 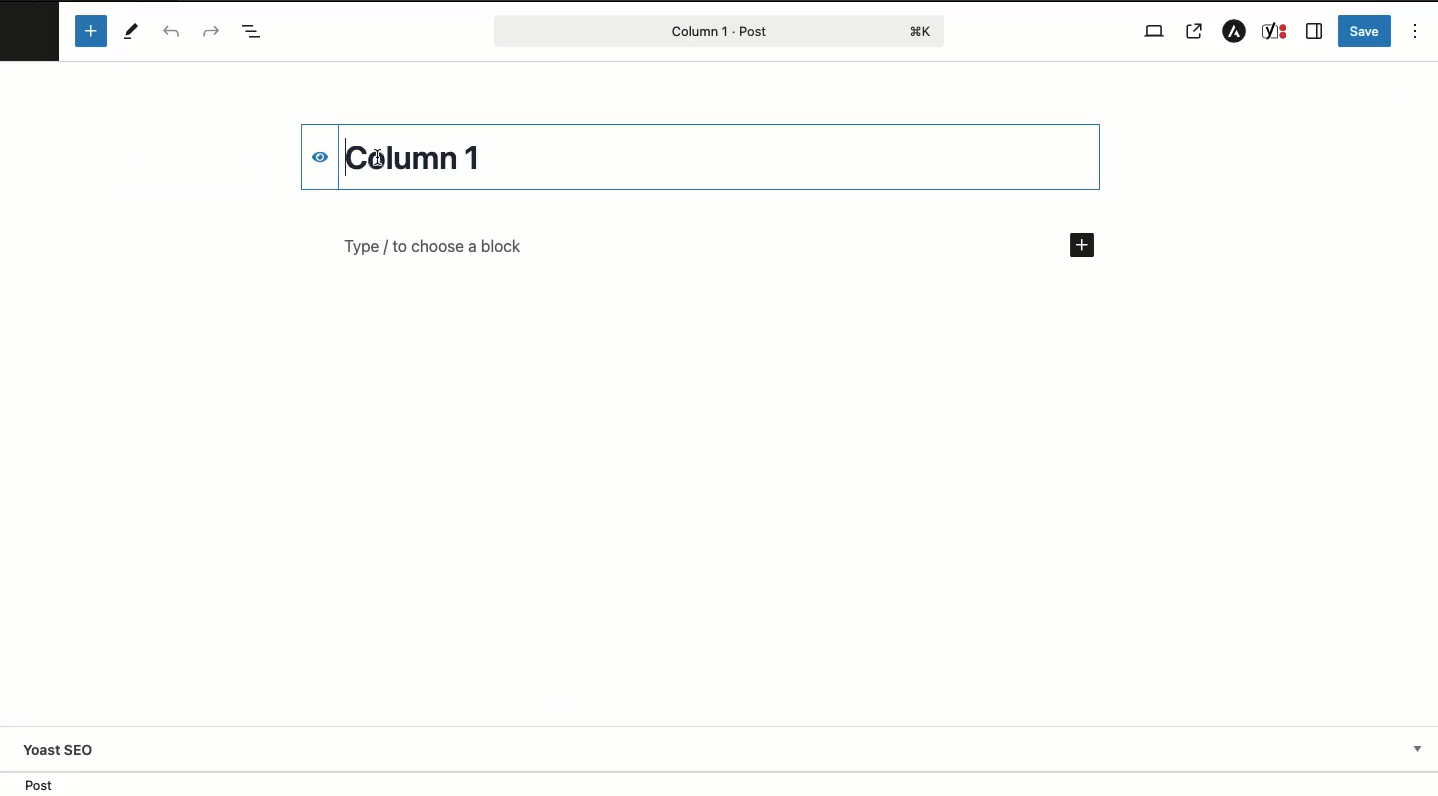 I want to click on View, so click(x=1151, y=30).